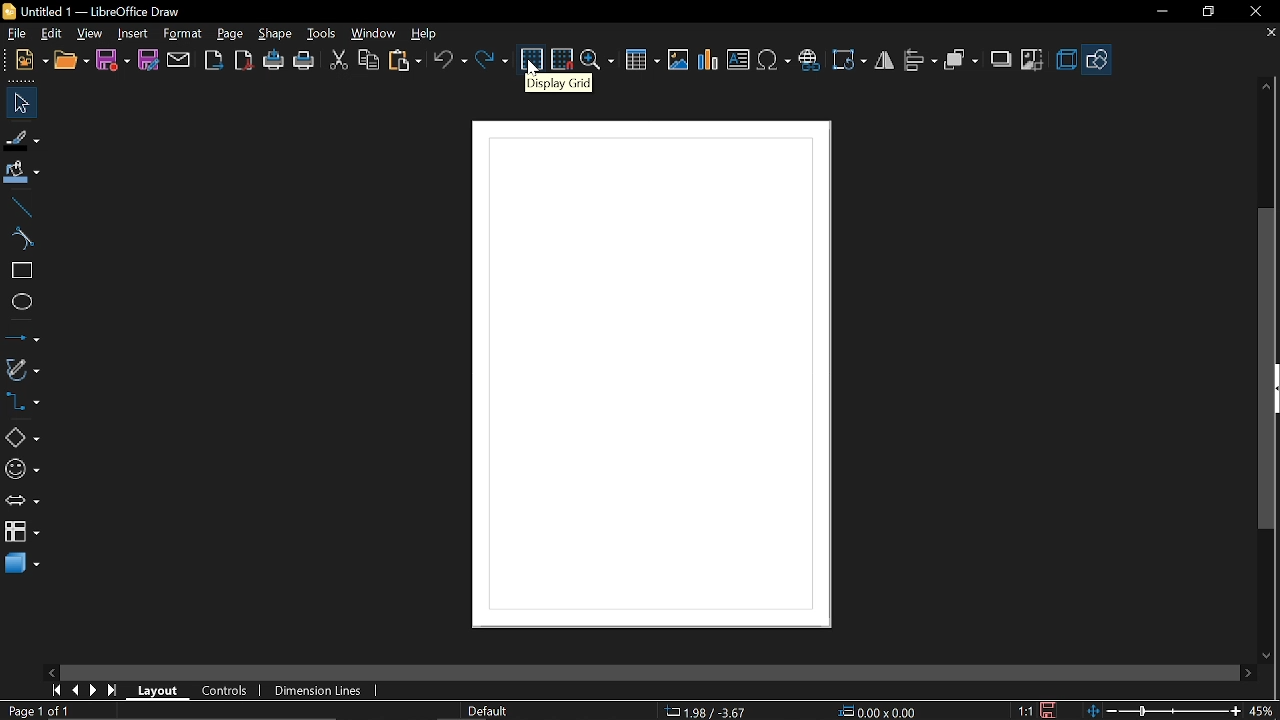 This screenshot has height=720, width=1280. What do you see at coordinates (710, 711) in the screenshot?
I see `1.98/-3.67` at bounding box center [710, 711].